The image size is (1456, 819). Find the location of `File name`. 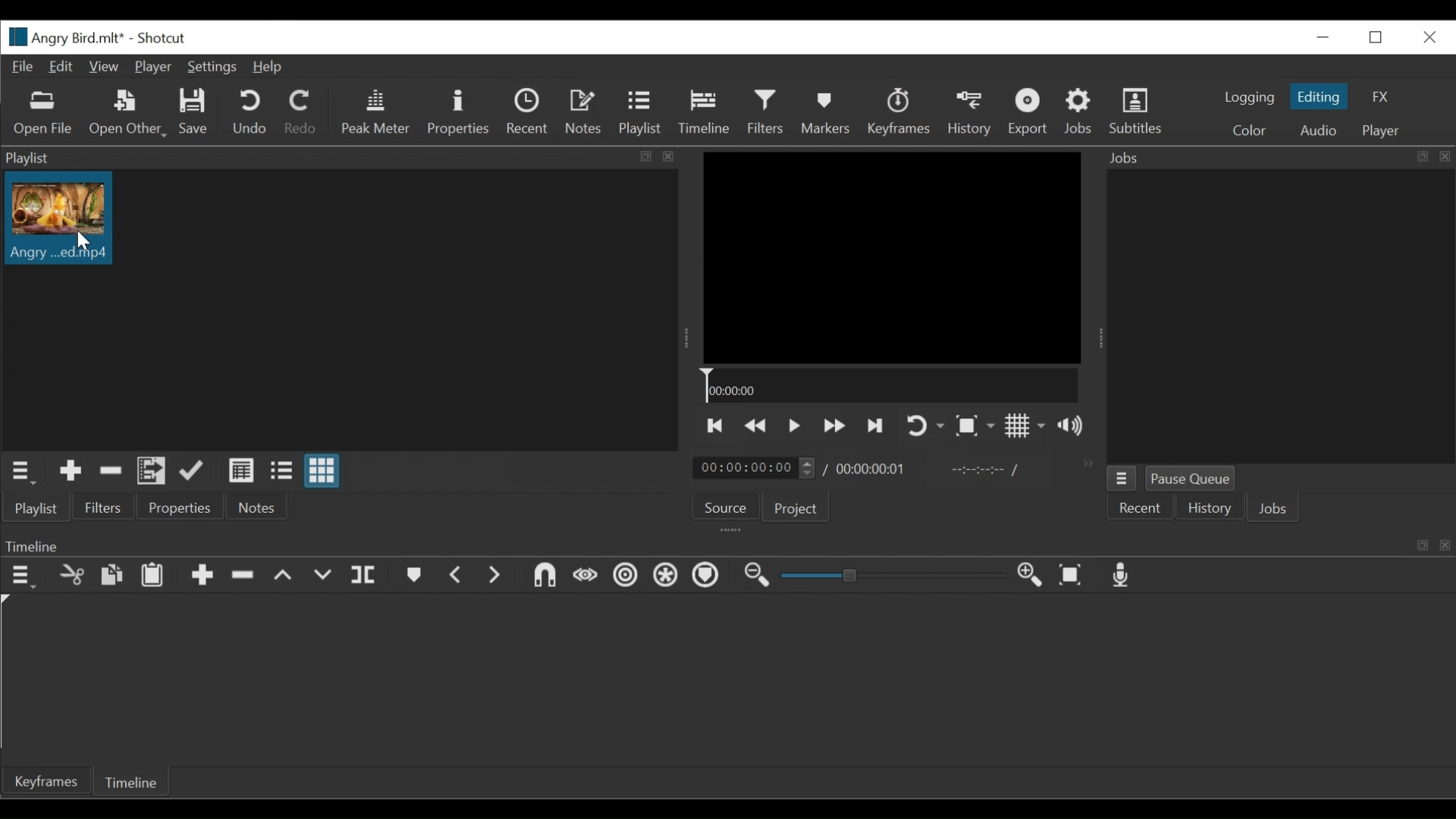

File name is located at coordinates (62, 37).